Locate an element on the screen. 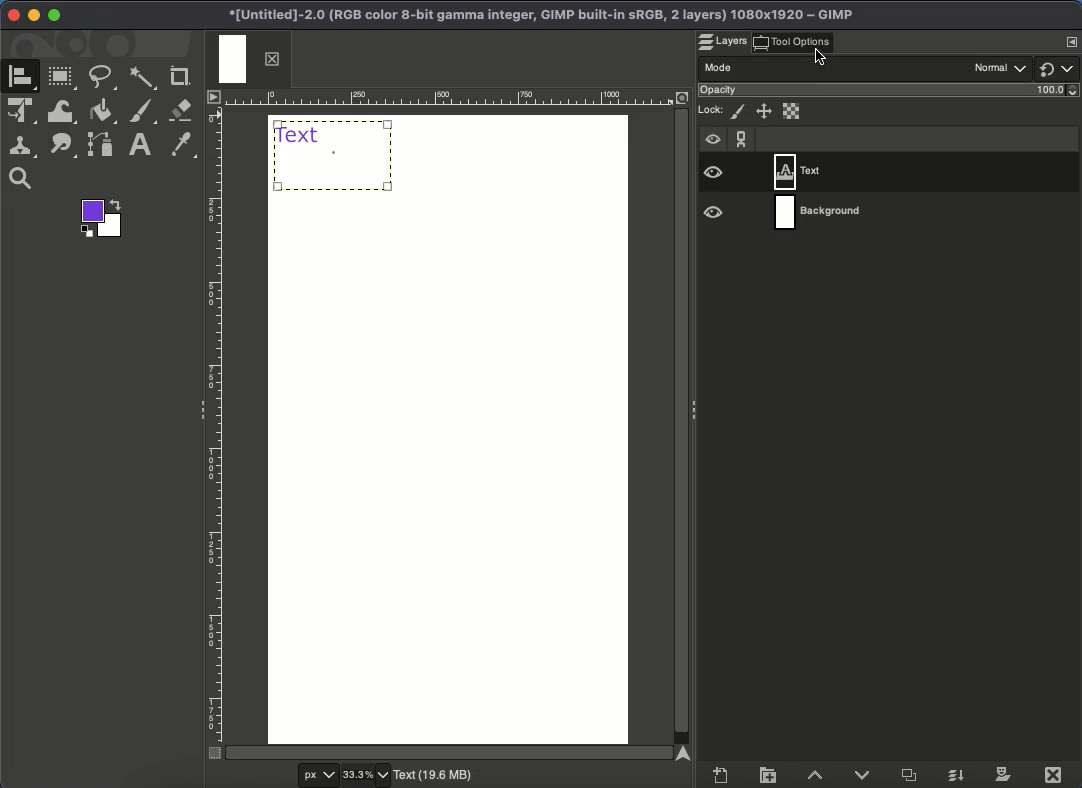 The image size is (1082, 788). Text(19.6 MB) is located at coordinates (436, 777).